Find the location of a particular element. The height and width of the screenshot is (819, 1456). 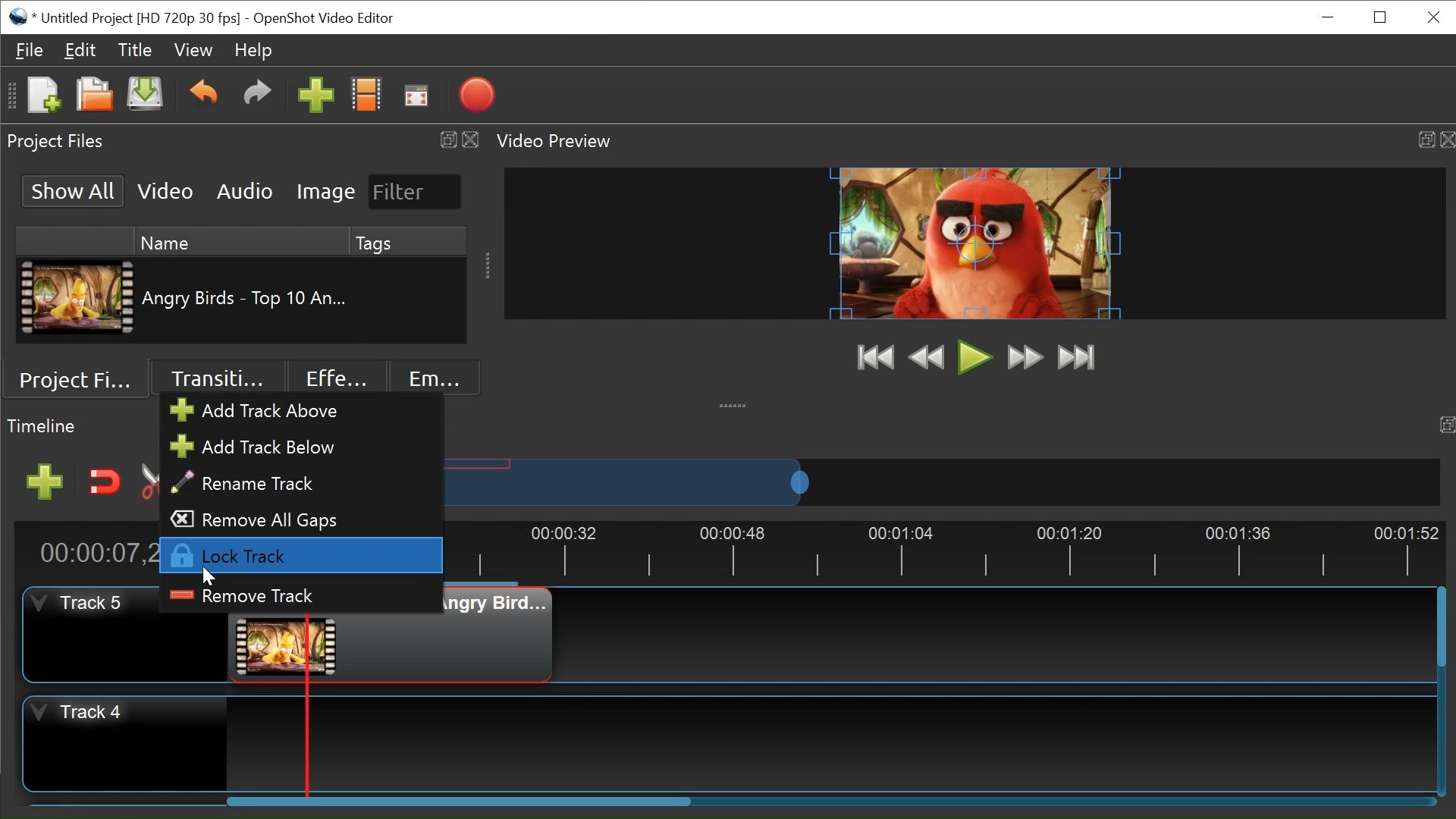

Video is located at coordinates (166, 190).